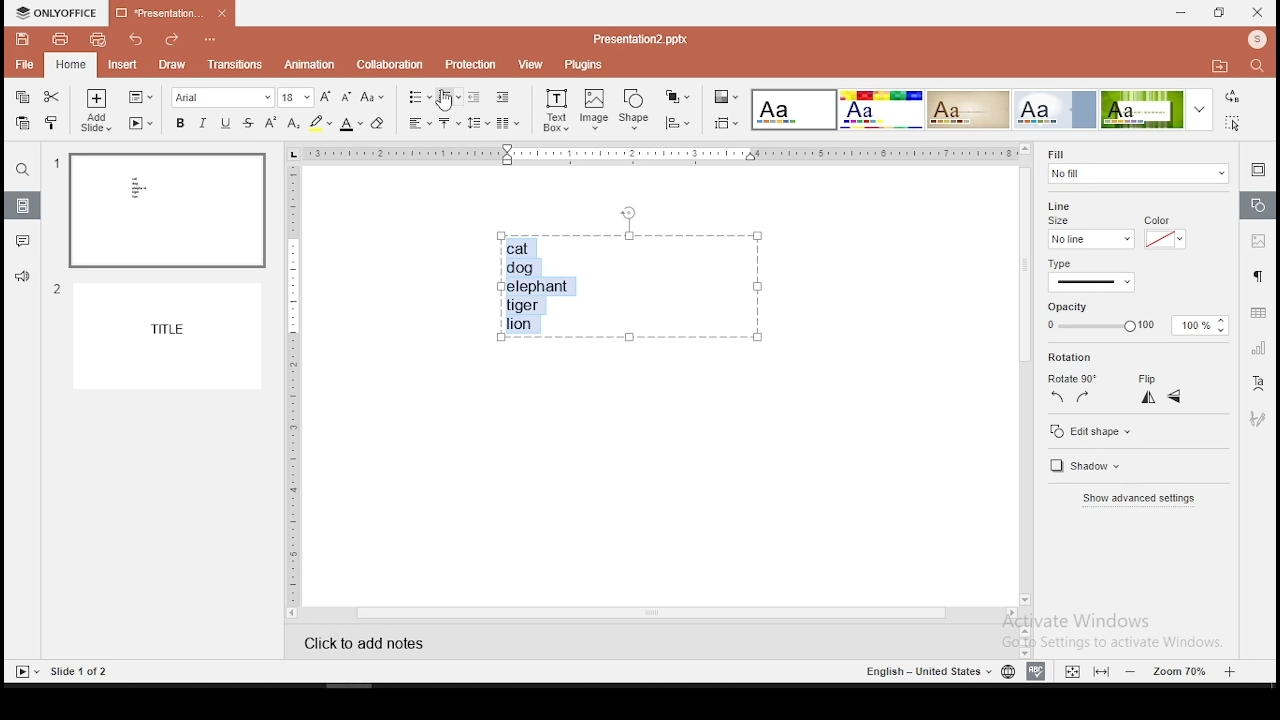 This screenshot has width=1280, height=720. What do you see at coordinates (293, 383) in the screenshot?
I see `vertical scale` at bounding box center [293, 383].